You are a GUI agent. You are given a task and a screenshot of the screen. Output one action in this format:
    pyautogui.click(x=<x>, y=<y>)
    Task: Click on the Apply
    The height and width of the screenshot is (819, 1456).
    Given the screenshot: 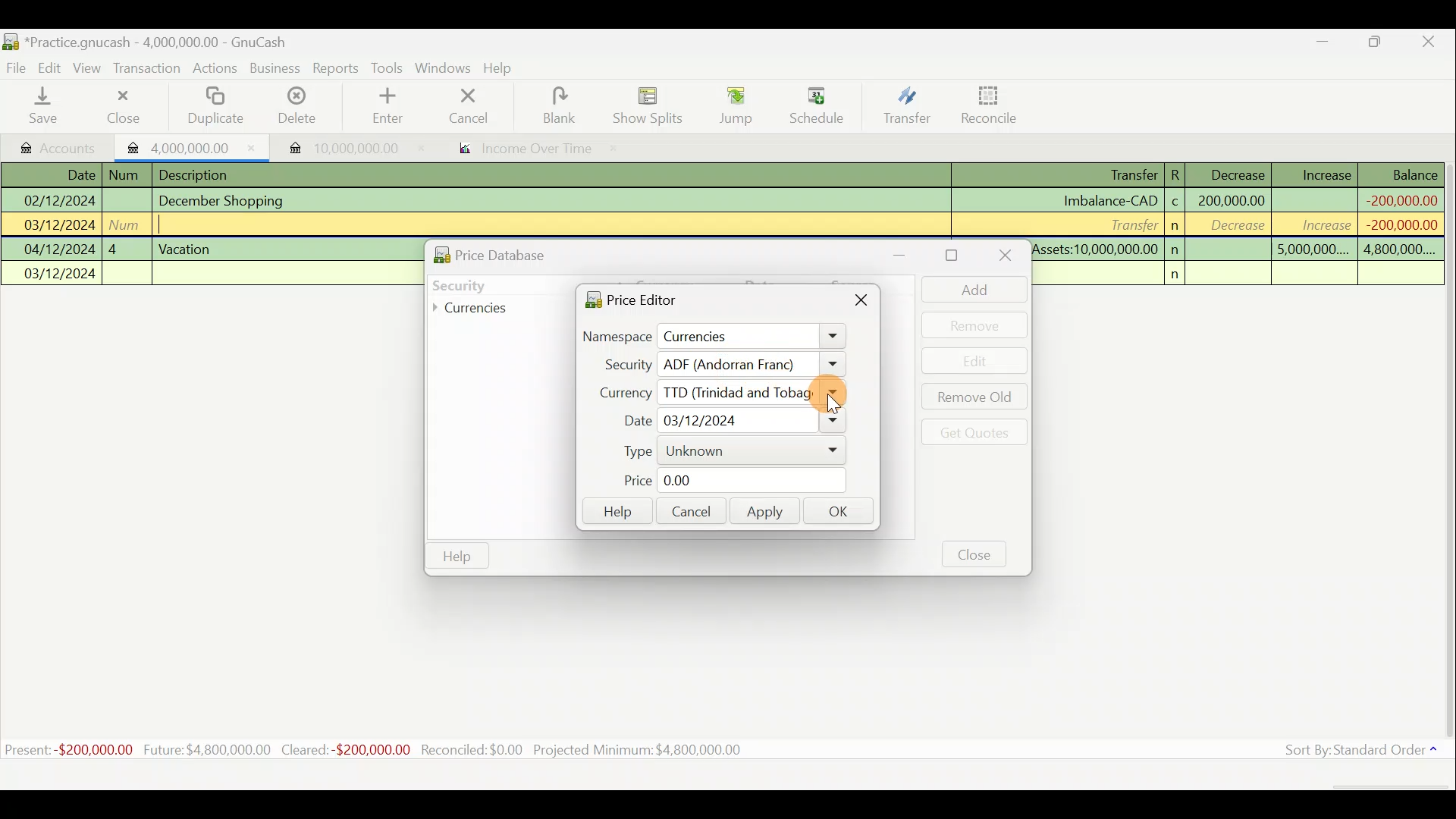 What is the action you would take?
    pyautogui.click(x=765, y=513)
    